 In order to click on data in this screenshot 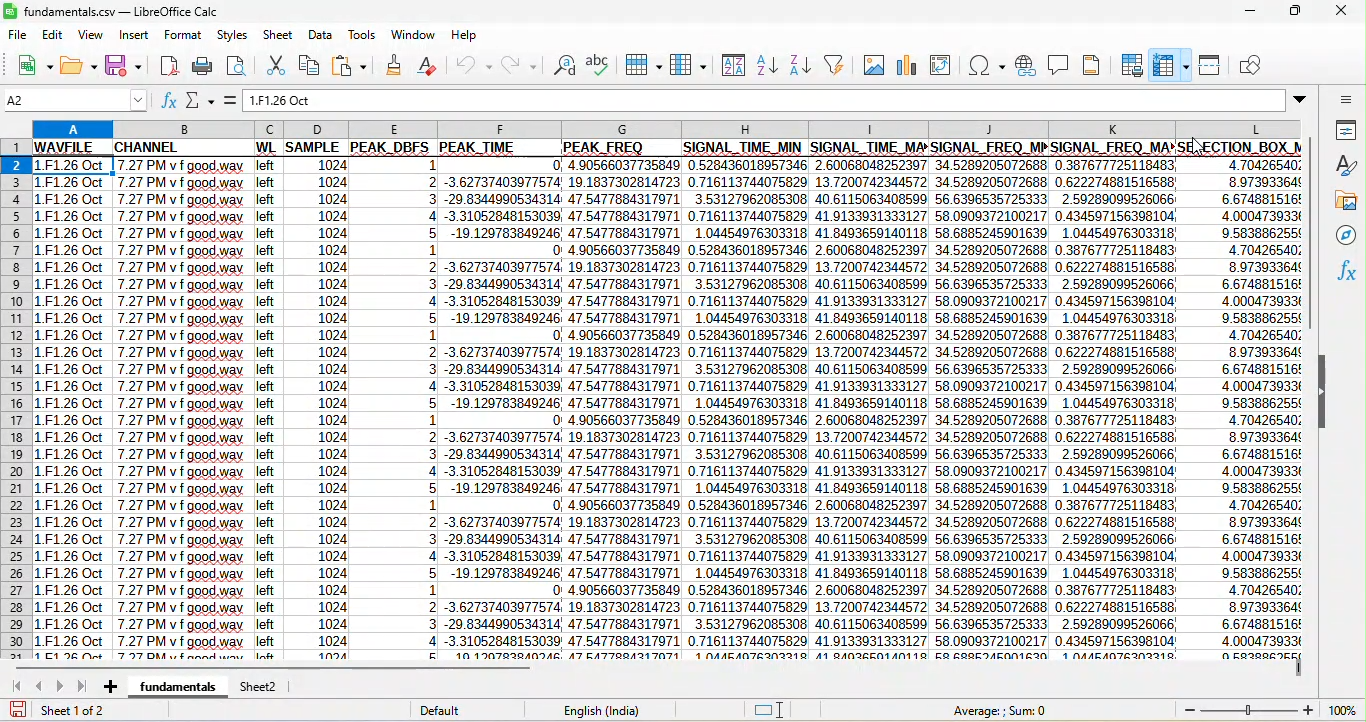, I will do `click(321, 37)`.